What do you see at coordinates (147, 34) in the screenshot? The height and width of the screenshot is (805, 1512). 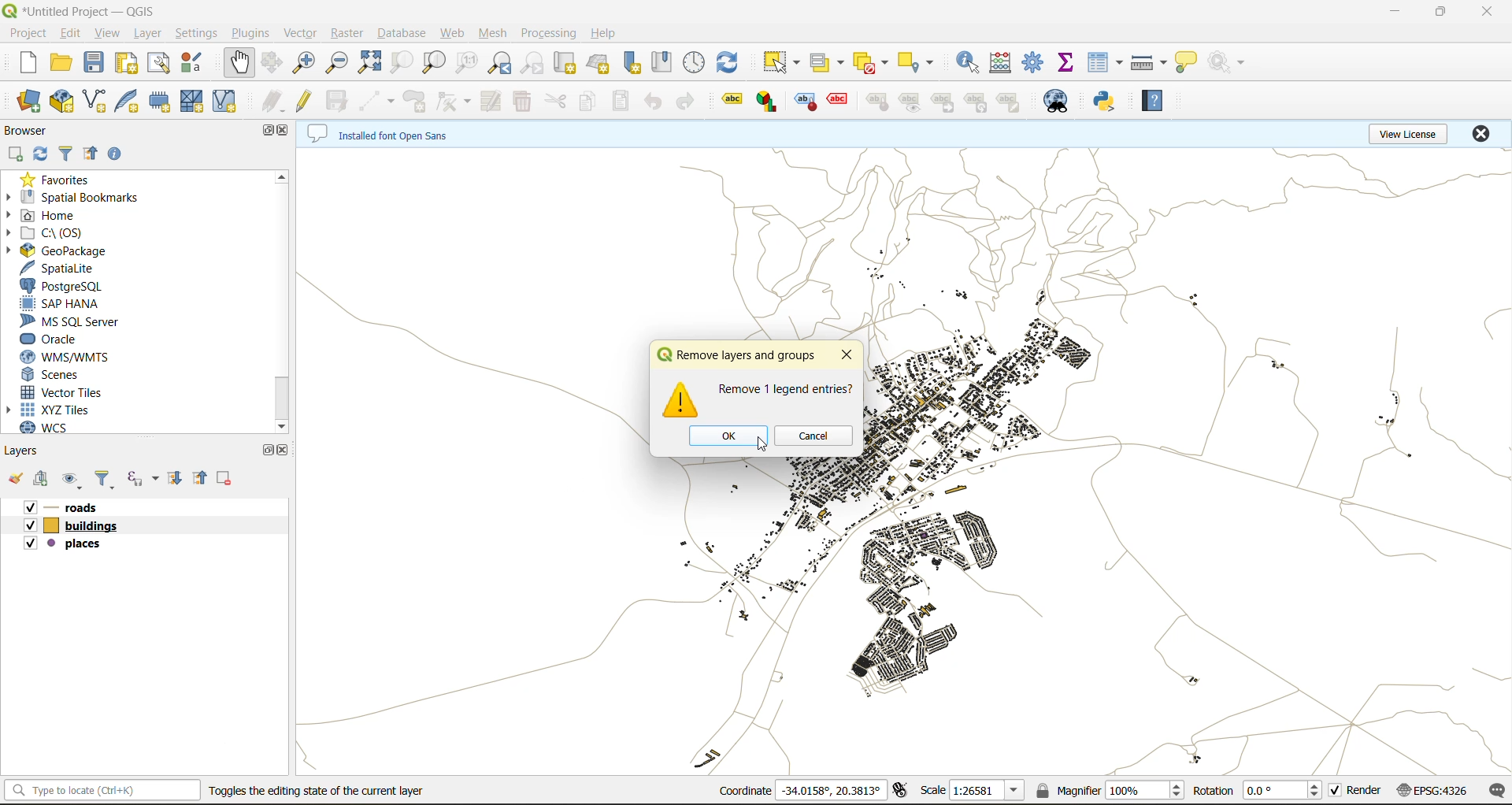 I see `layer` at bounding box center [147, 34].